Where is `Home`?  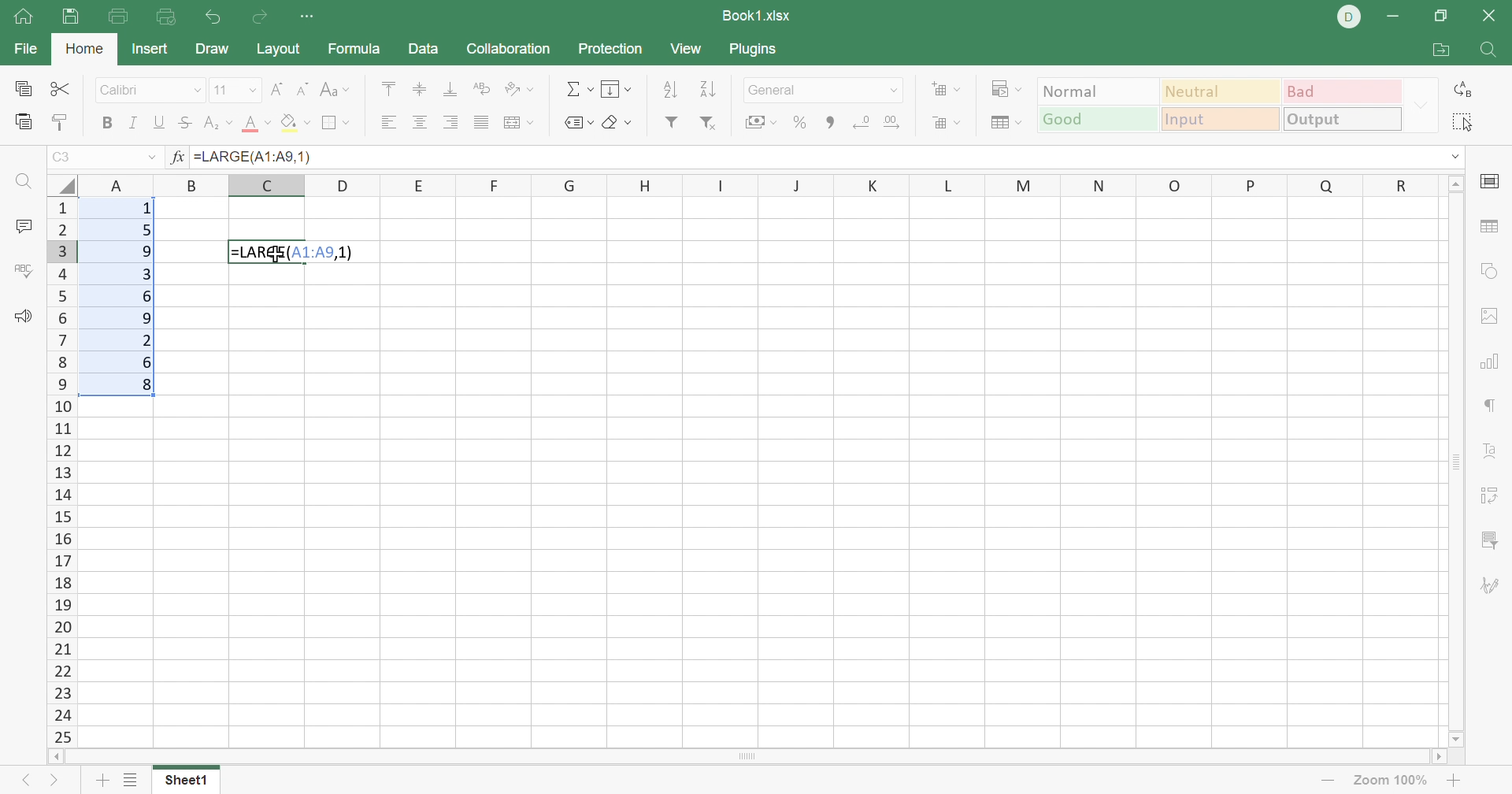 Home is located at coordinates (83, 46).